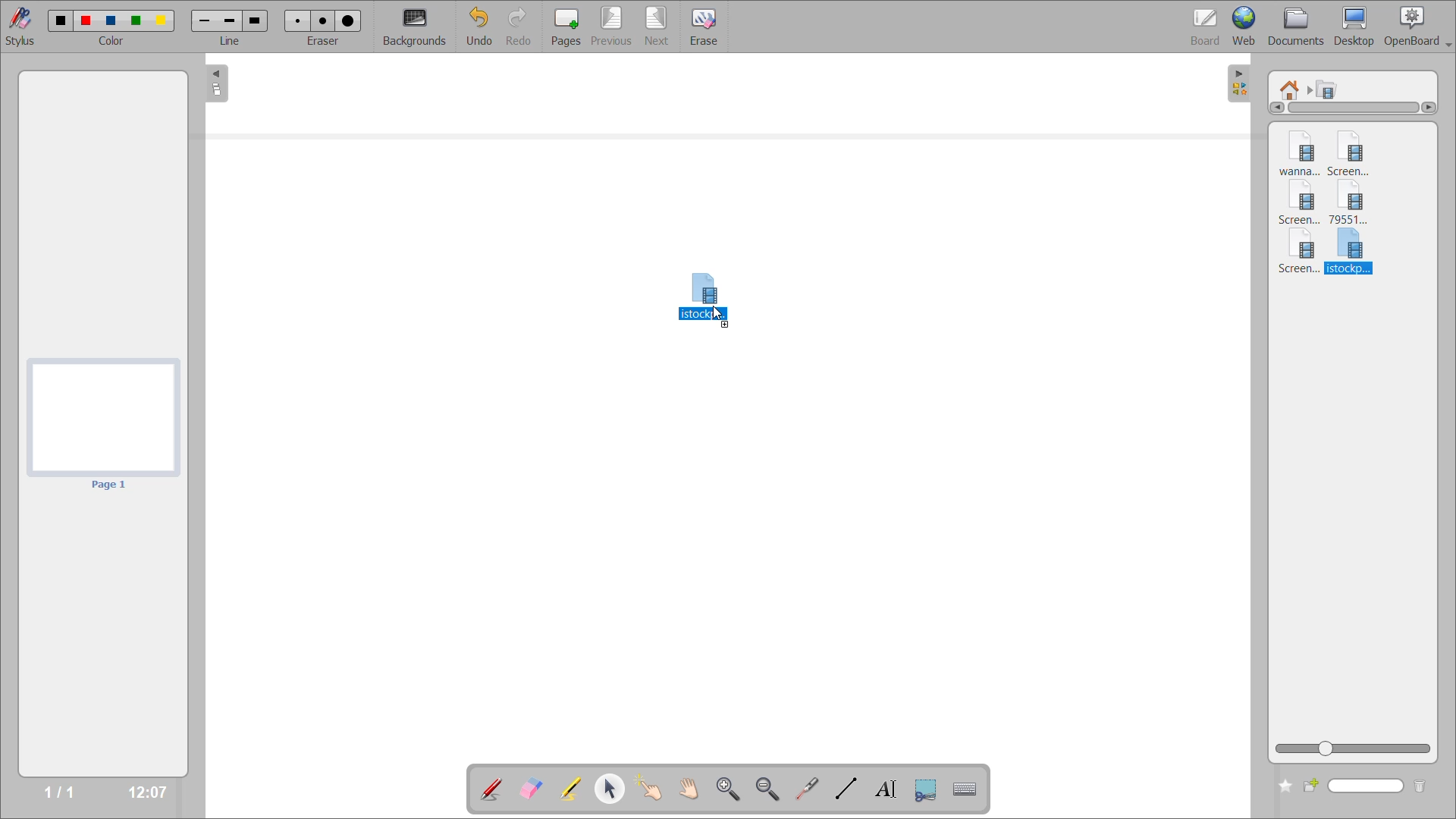 The height and width of the screenshot is (819, 1456). Describe the element at coordinates (417, 26) in the screenshot. I see `backgrounds` at that location.